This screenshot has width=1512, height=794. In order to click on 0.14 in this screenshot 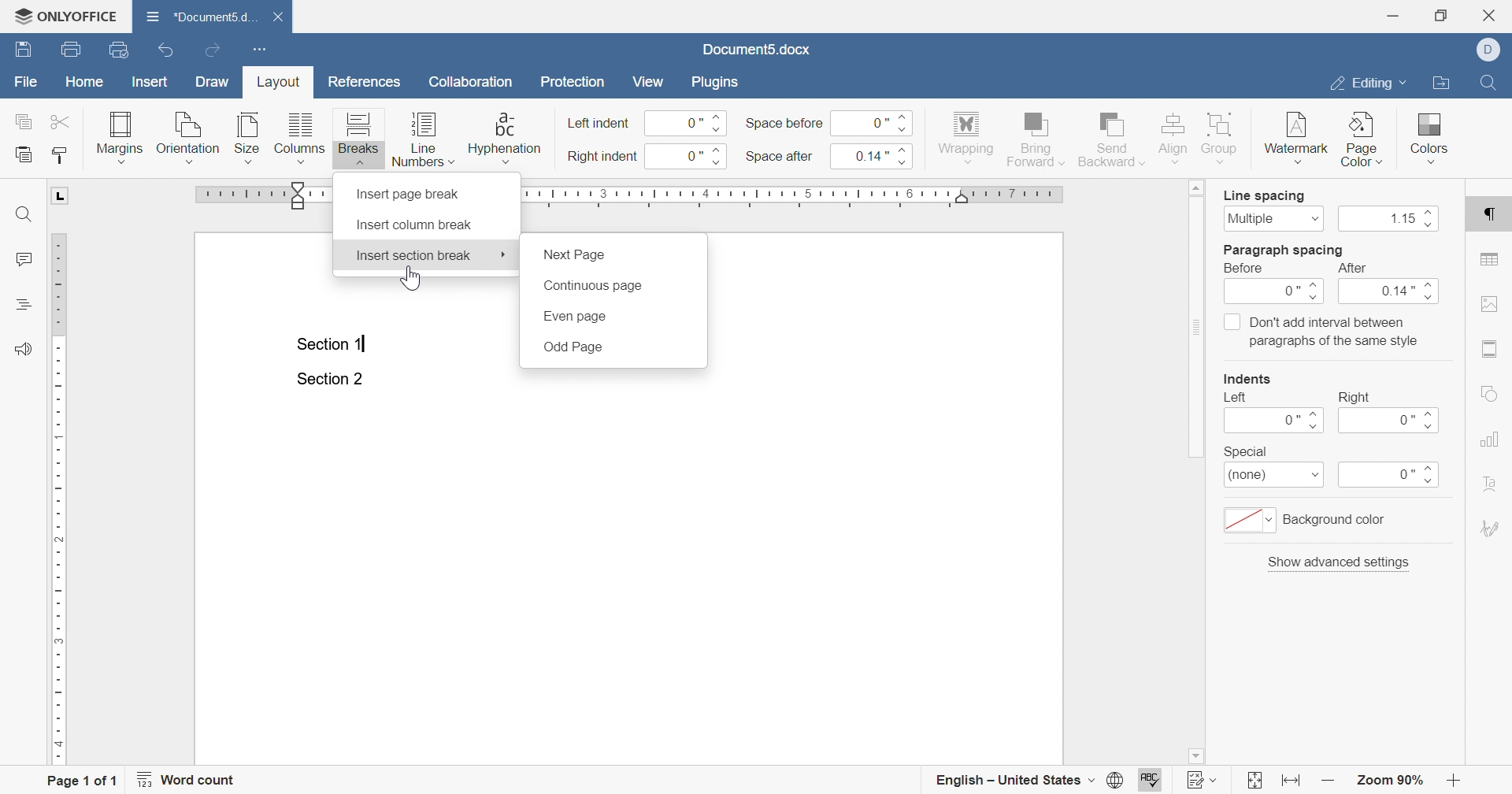, I will do `click(878, 155)`.